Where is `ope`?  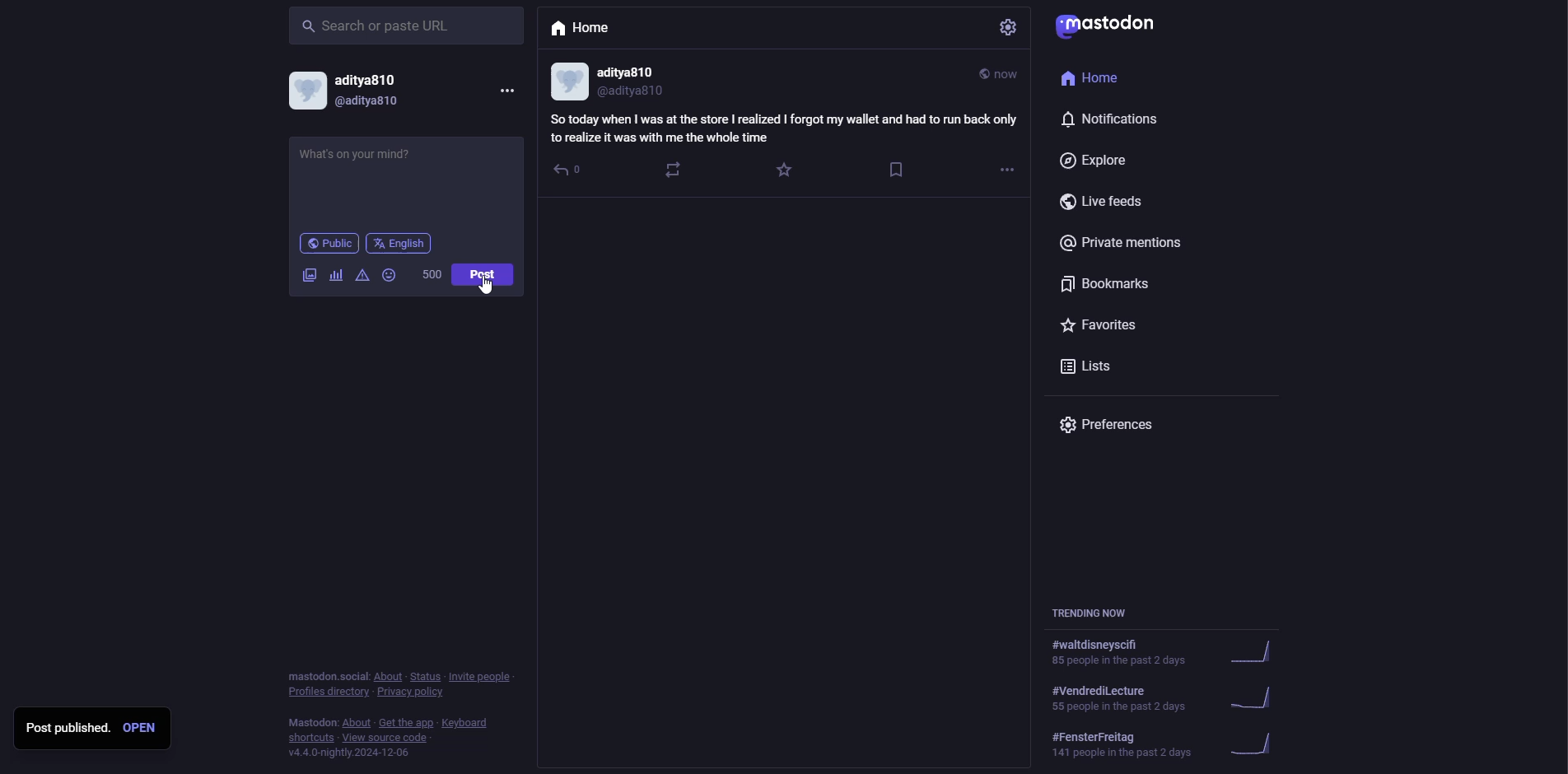 ope is located at coordinates (144, 729).